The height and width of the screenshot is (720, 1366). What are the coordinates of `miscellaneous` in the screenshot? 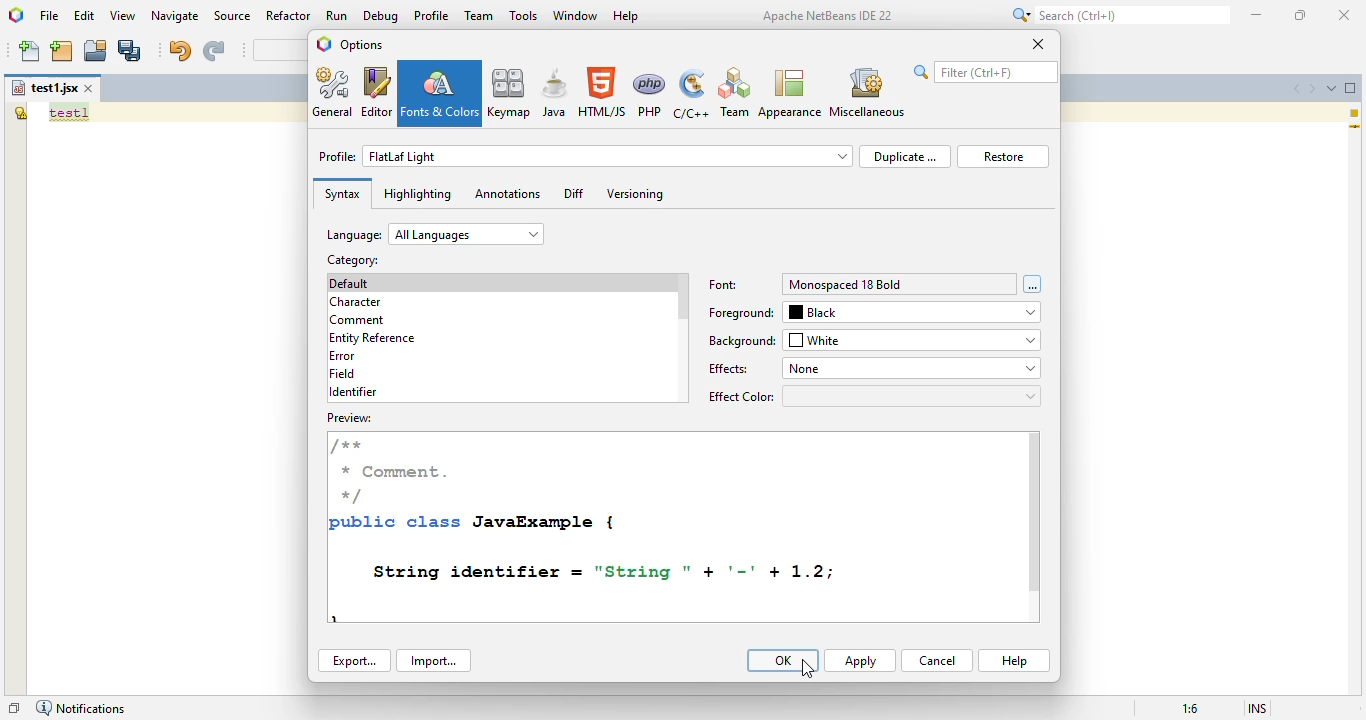 It's located at (867, 91).